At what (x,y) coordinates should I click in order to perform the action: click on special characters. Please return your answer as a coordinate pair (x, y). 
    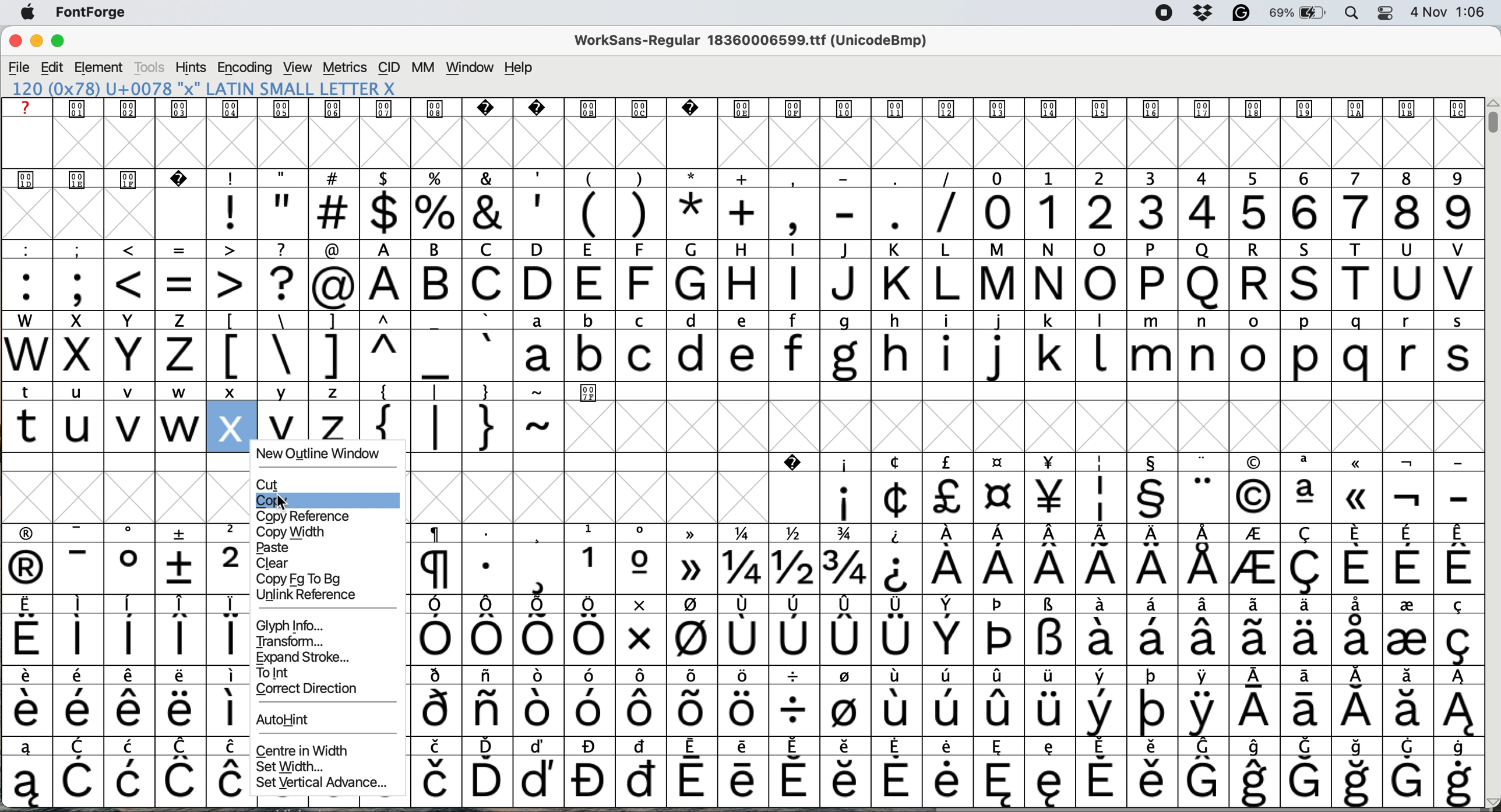
    Looking at the image, I should click on (1144, 498).